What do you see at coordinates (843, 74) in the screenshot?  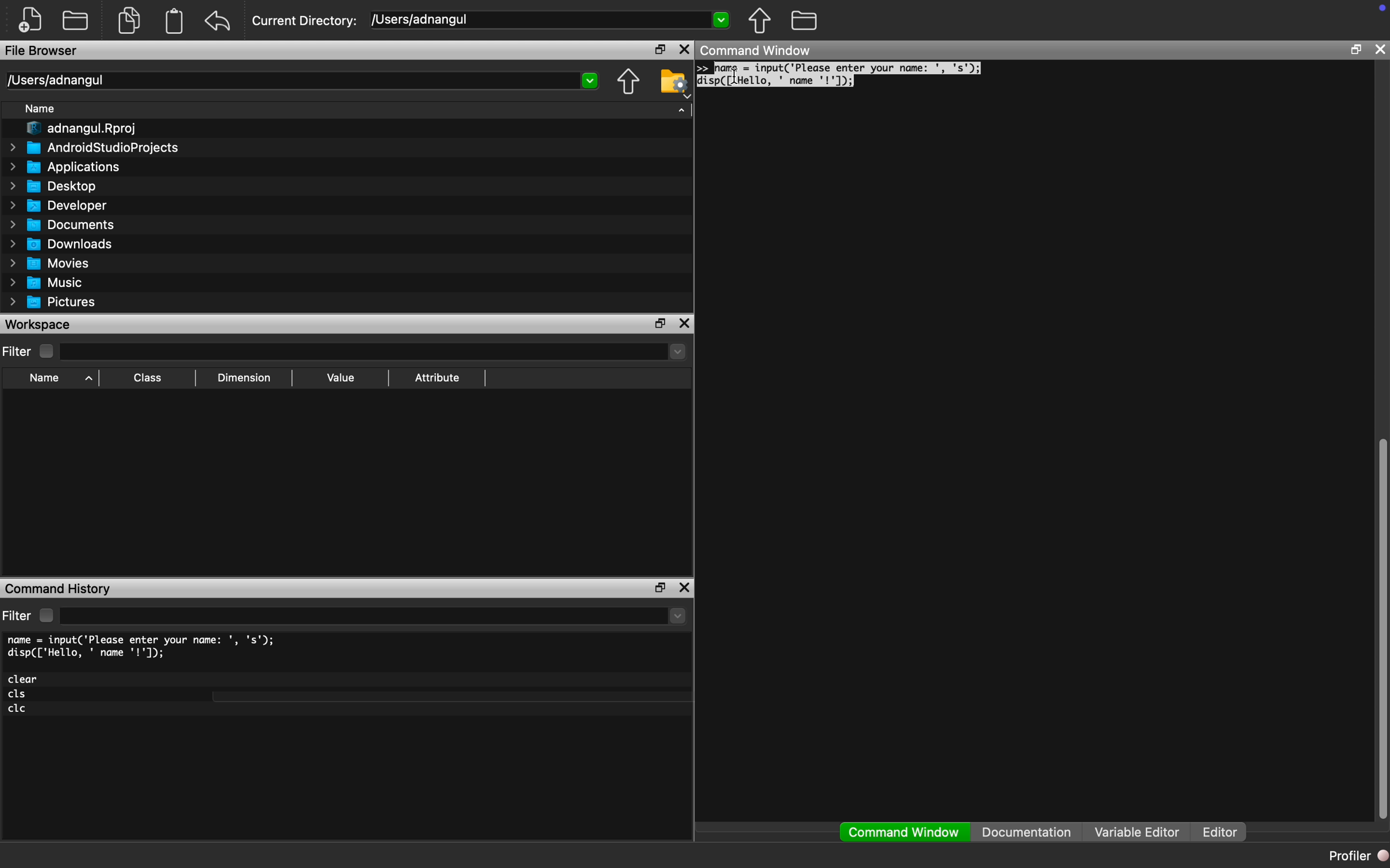 I see `yao = input('Please enter your name: ', ipl
en ([lHello. "name '!'1):` at bounding box center [843, 74].